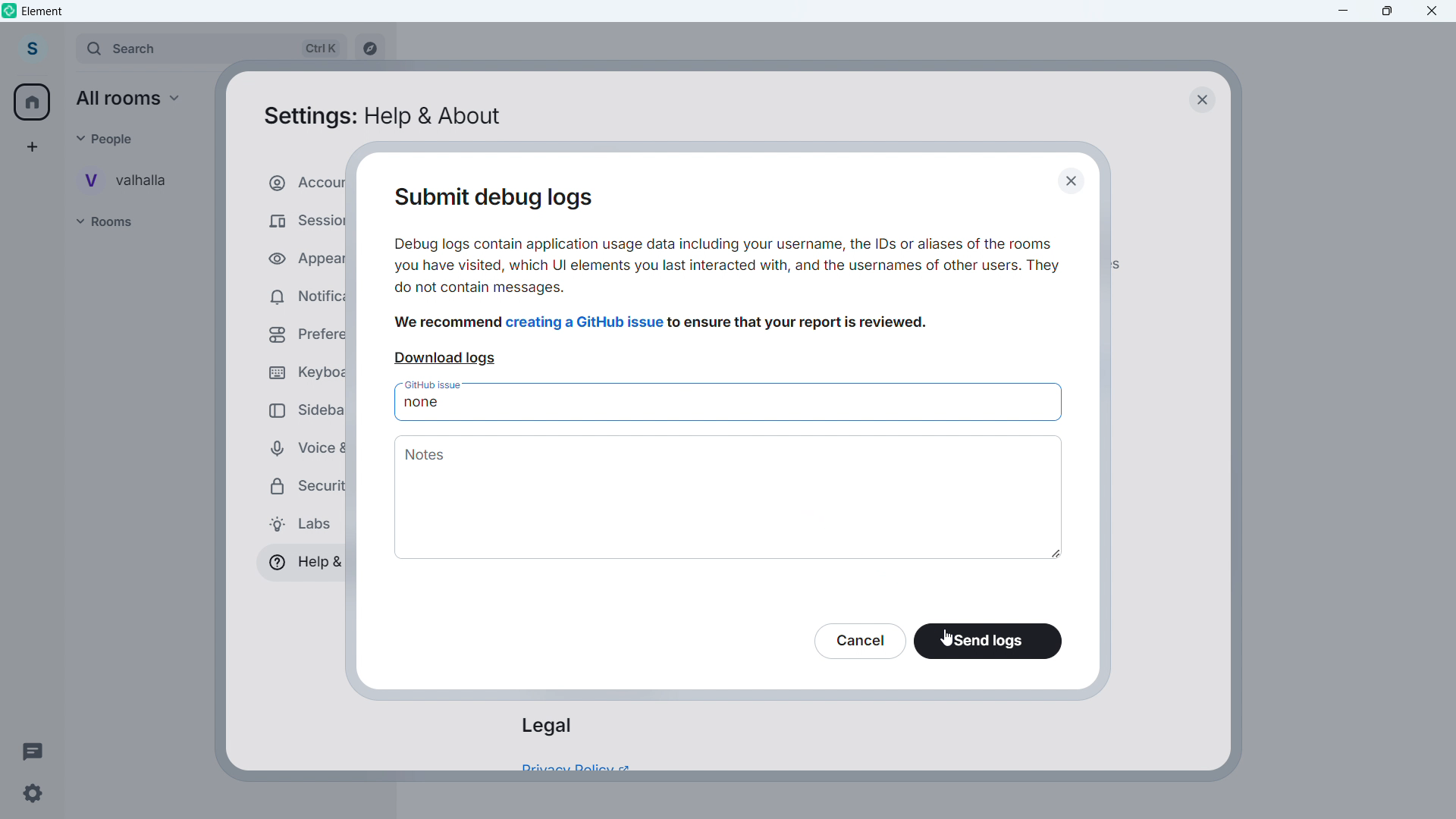 This screenshot has width=1456, height=819. What do you see at coordinates (1075, 182) in the screenshot?
I see `Close ` at bounding box center [1075, 182].